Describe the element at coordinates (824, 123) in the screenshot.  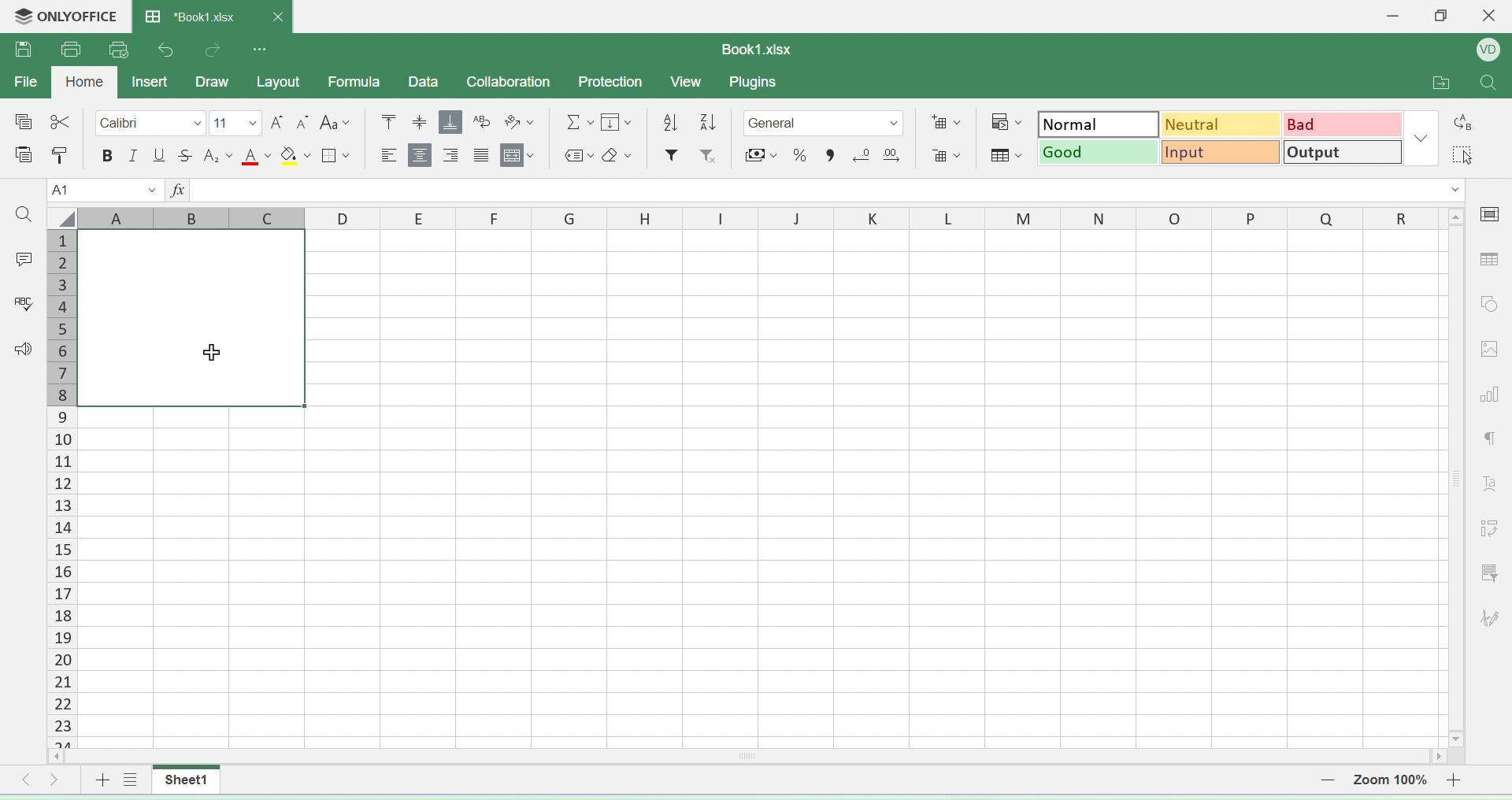
I see `format` at that location.